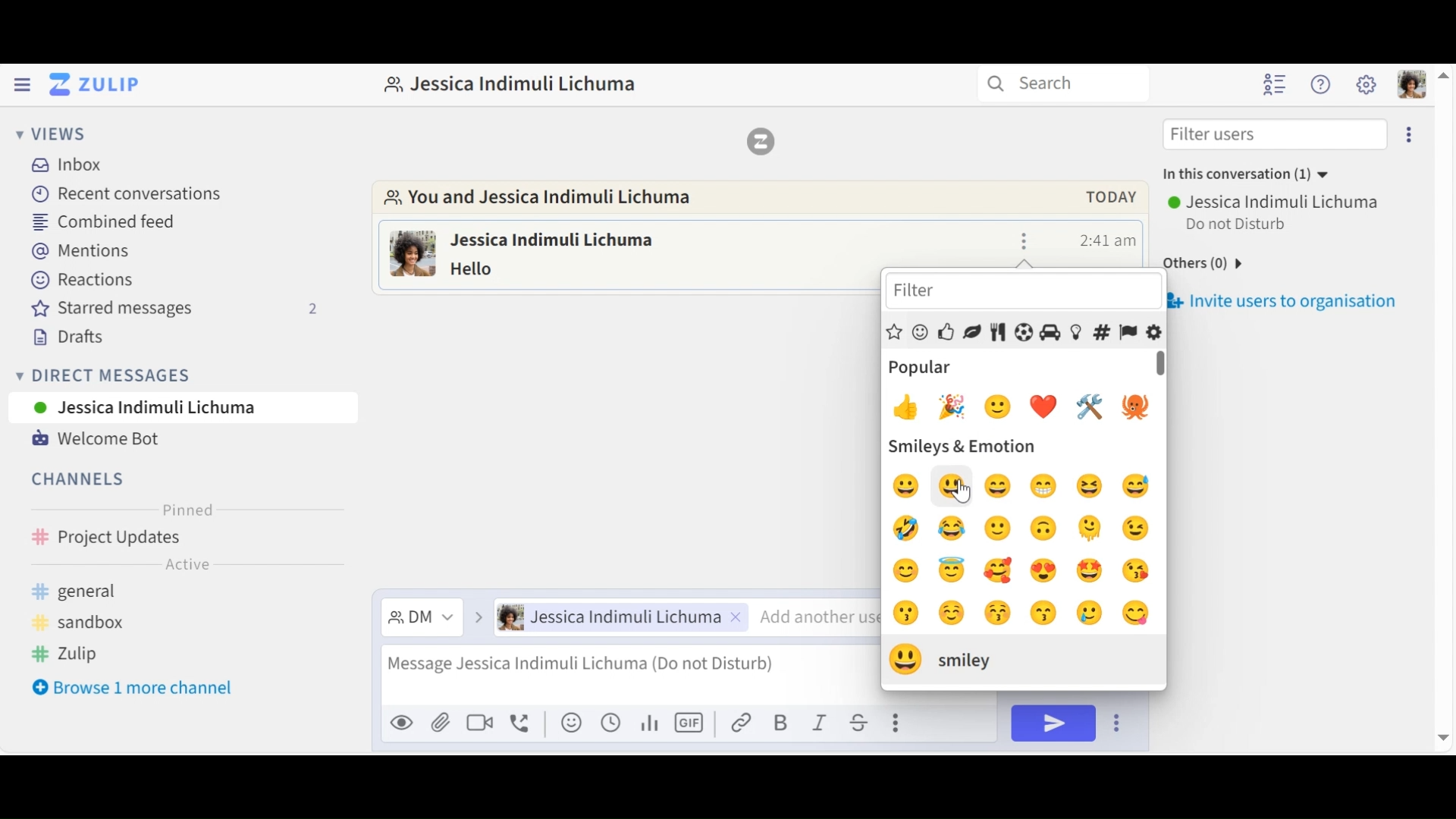 Image resolution: width=1456 pixels, height=819 pixels. I want to click on Link, so click(742, 721).